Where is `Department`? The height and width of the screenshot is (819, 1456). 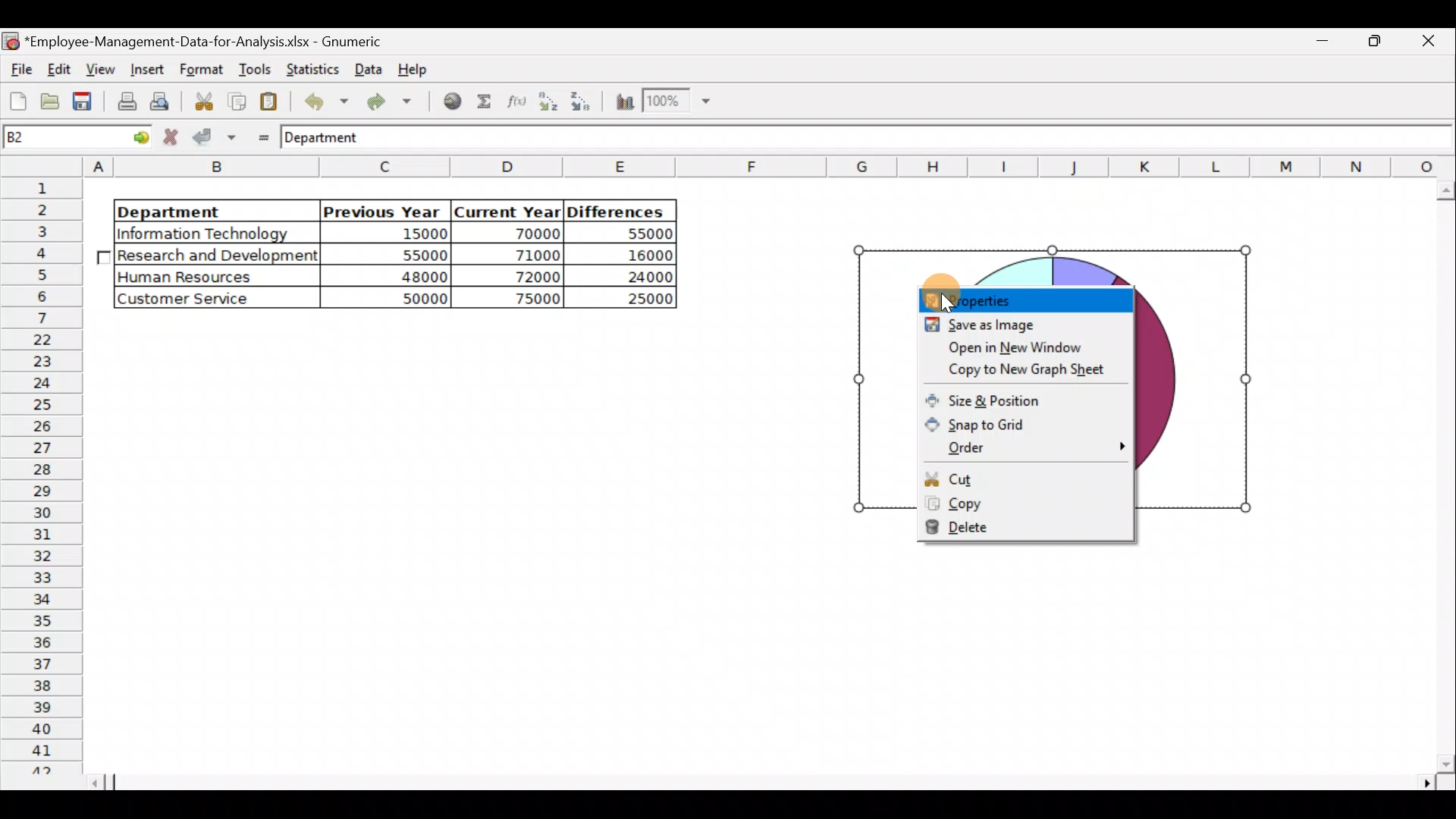
Department is located at coordinates (334, 139).